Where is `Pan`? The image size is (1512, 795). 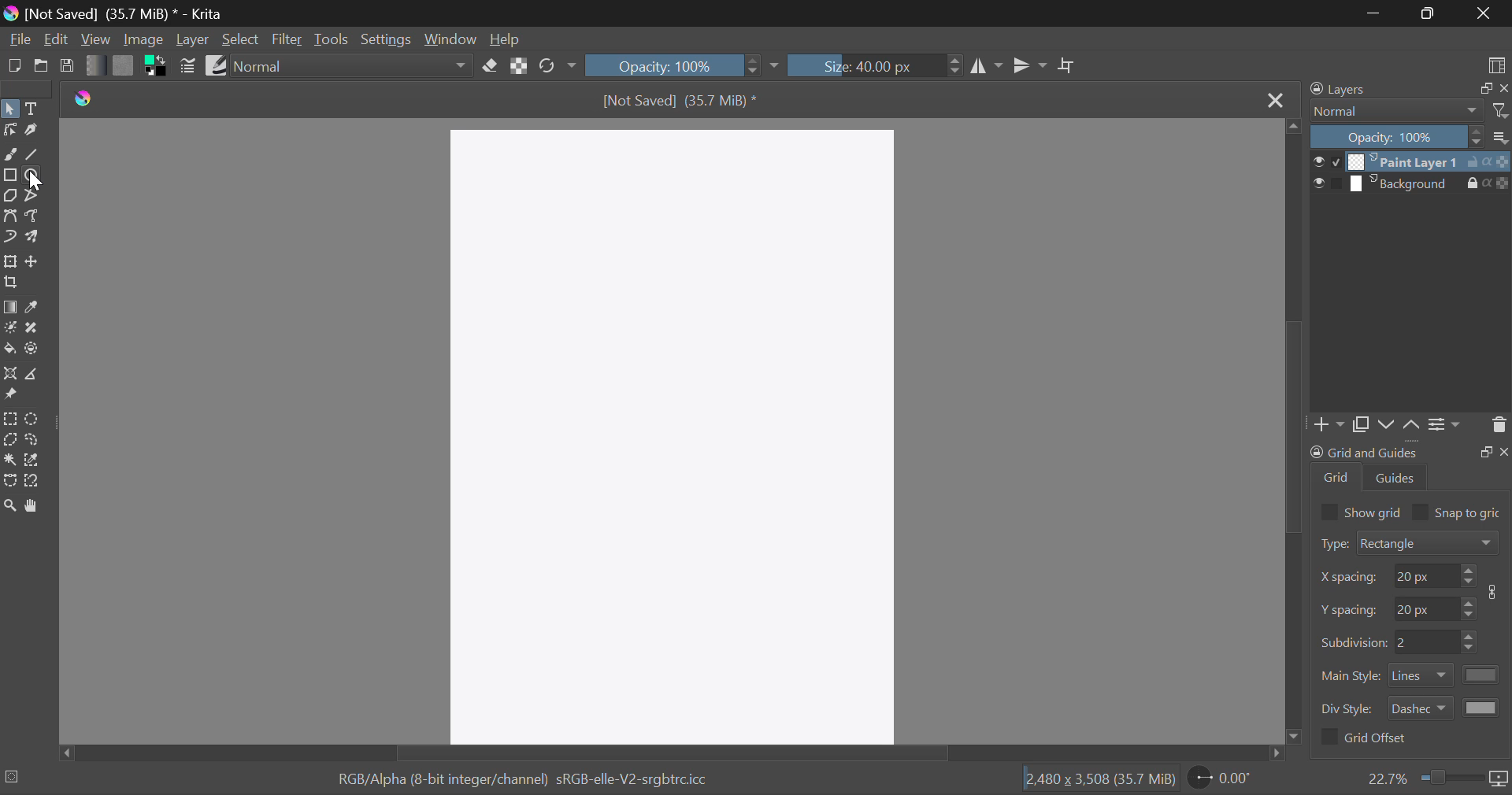
Pan is located at coordinates (33, 506).